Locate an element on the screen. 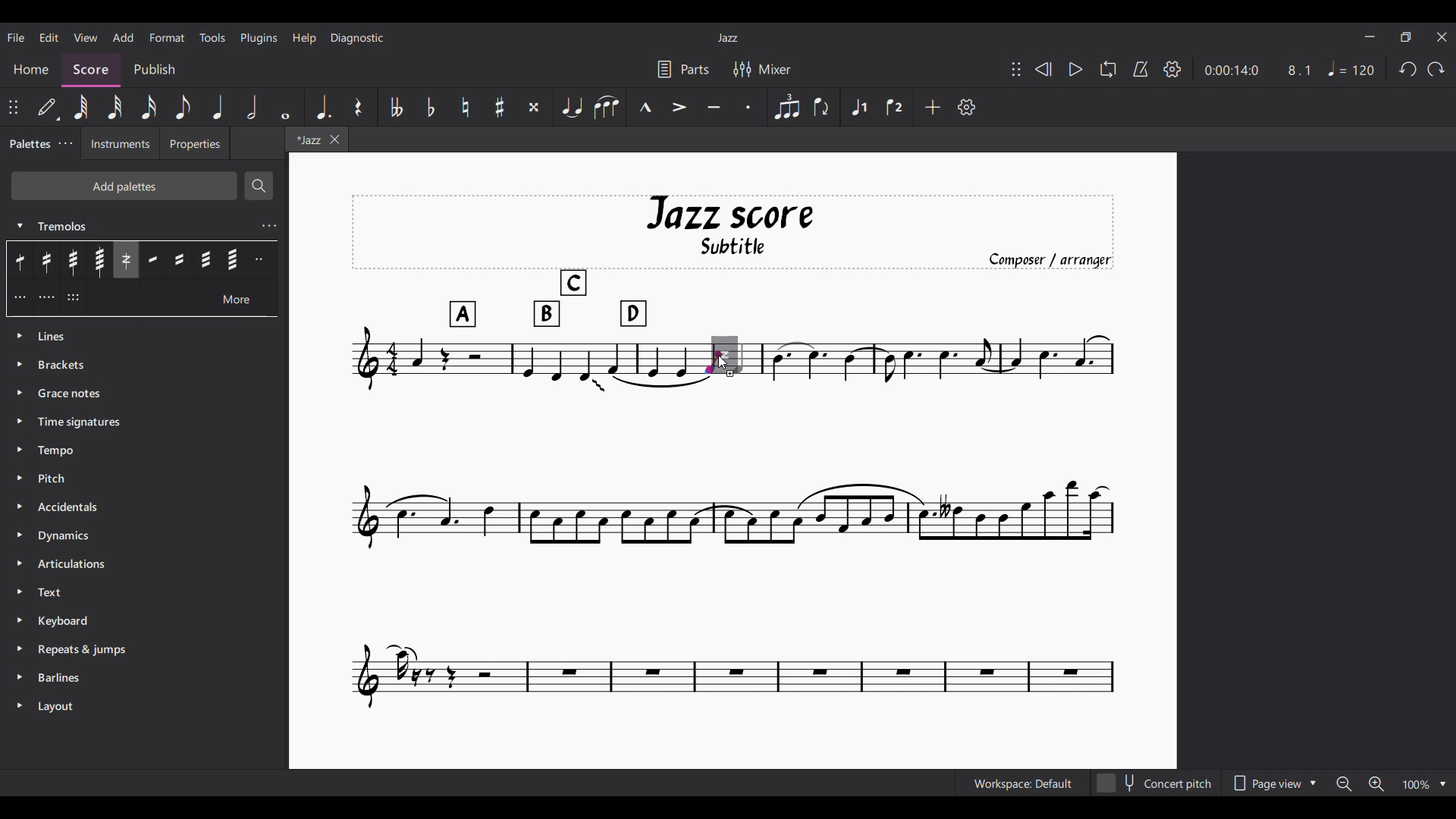 The image size is (1456, 819). 16th through stem is located at coordinates (48, 260).